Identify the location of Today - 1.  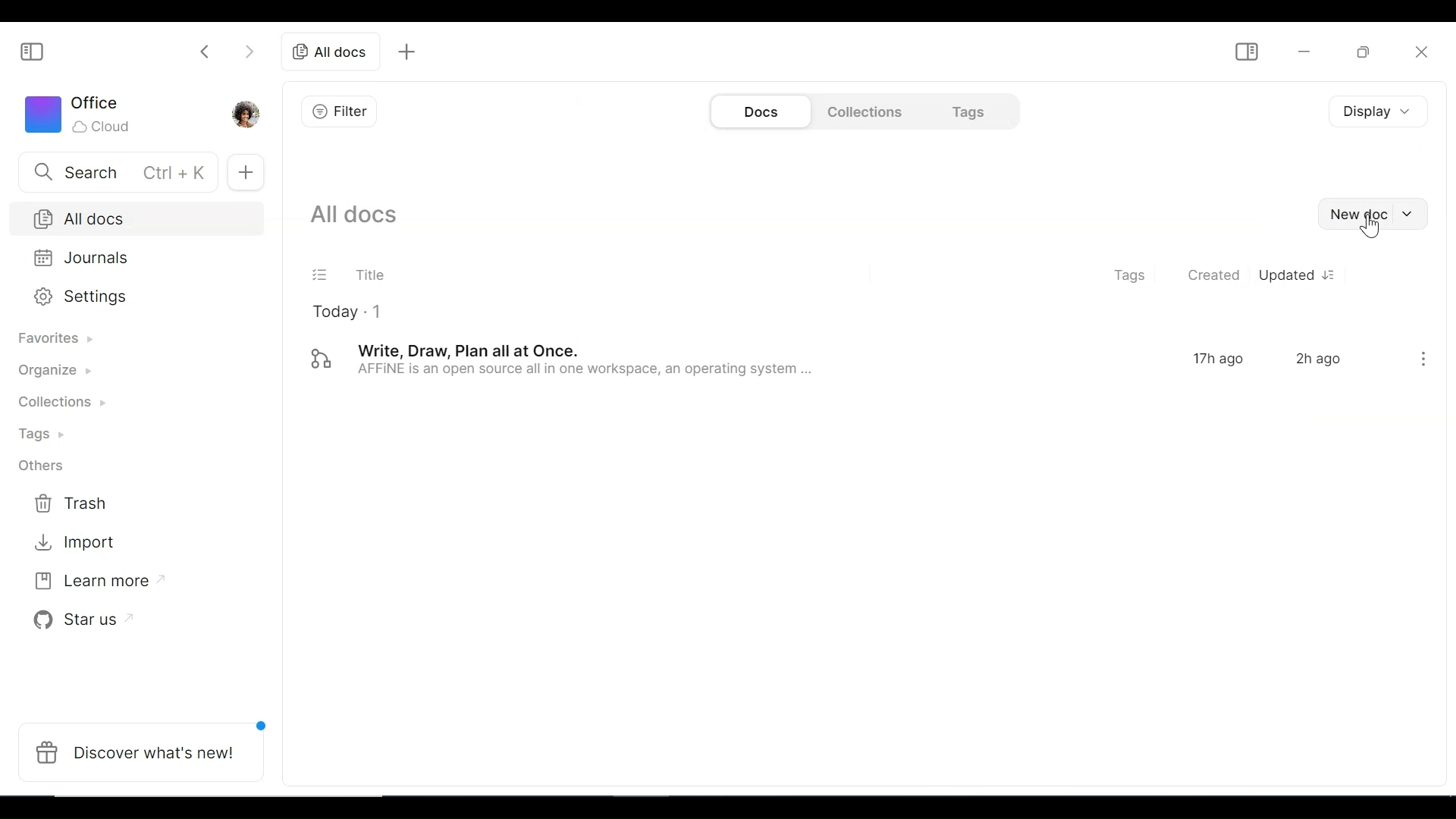
(356, 311).